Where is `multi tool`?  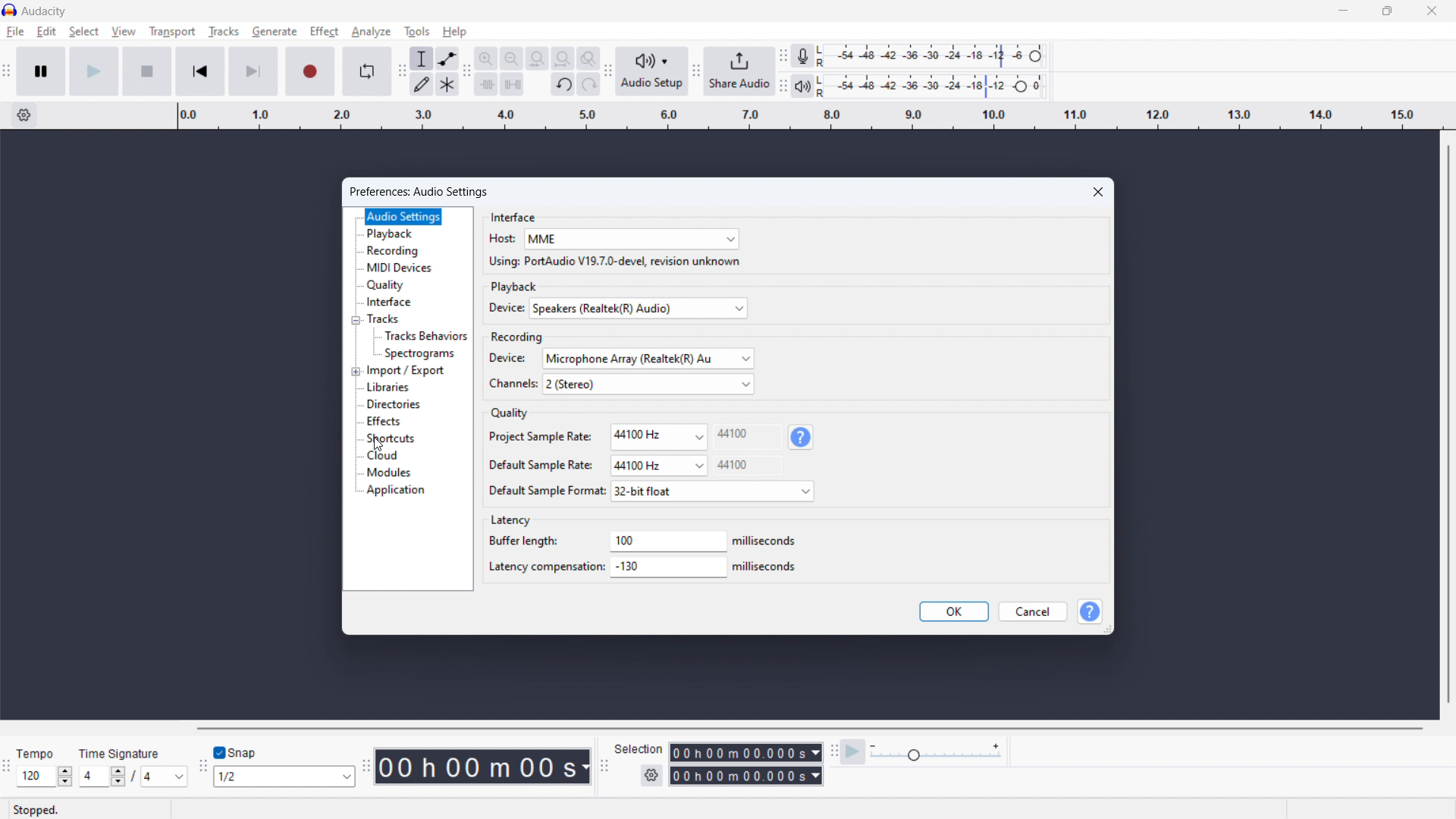
multi tool is located at coordinates (447, 84).